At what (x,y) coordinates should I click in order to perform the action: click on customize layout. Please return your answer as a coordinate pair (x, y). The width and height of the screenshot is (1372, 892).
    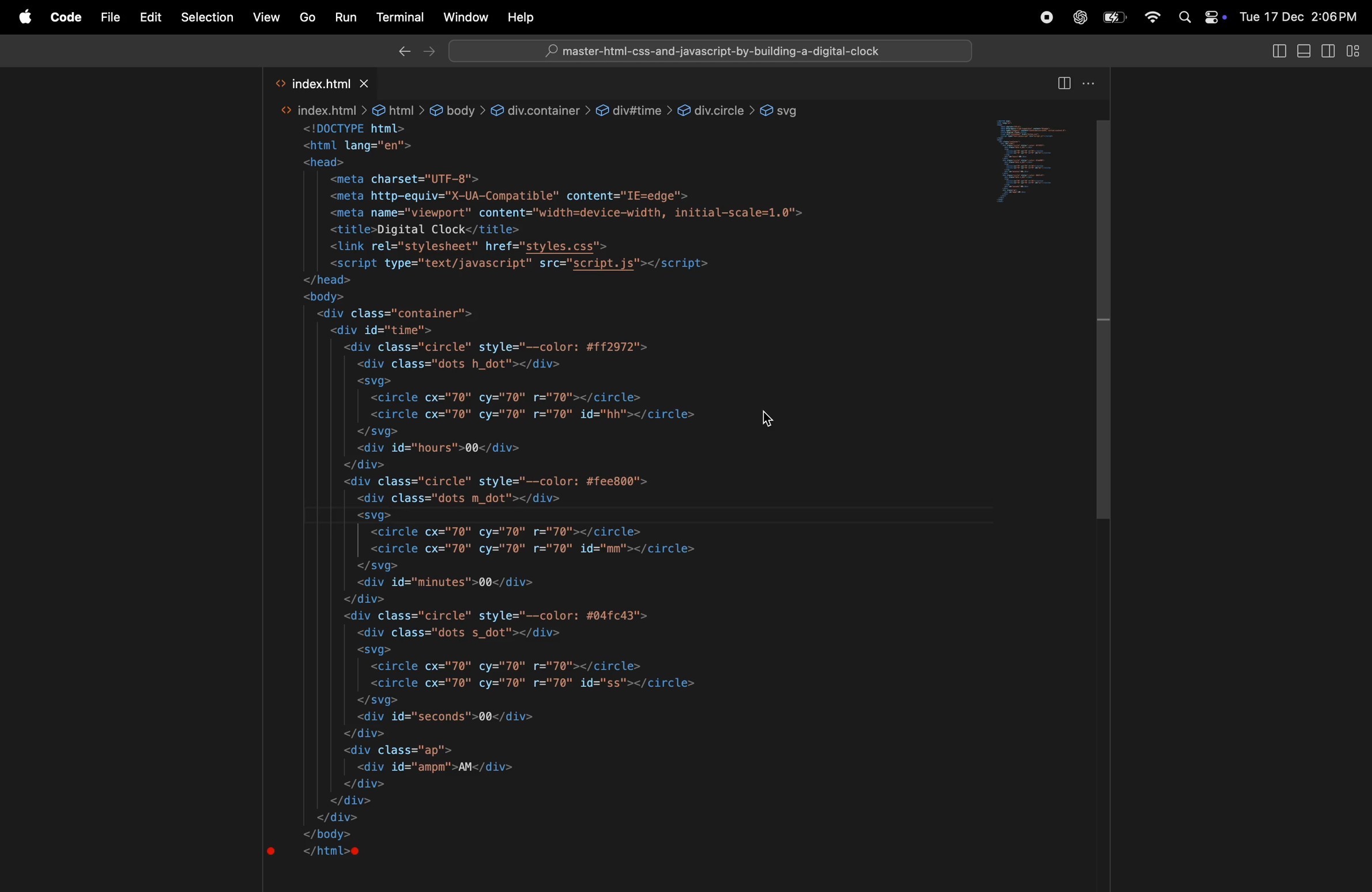
    Looking at the image, I should click on (1356, 51).